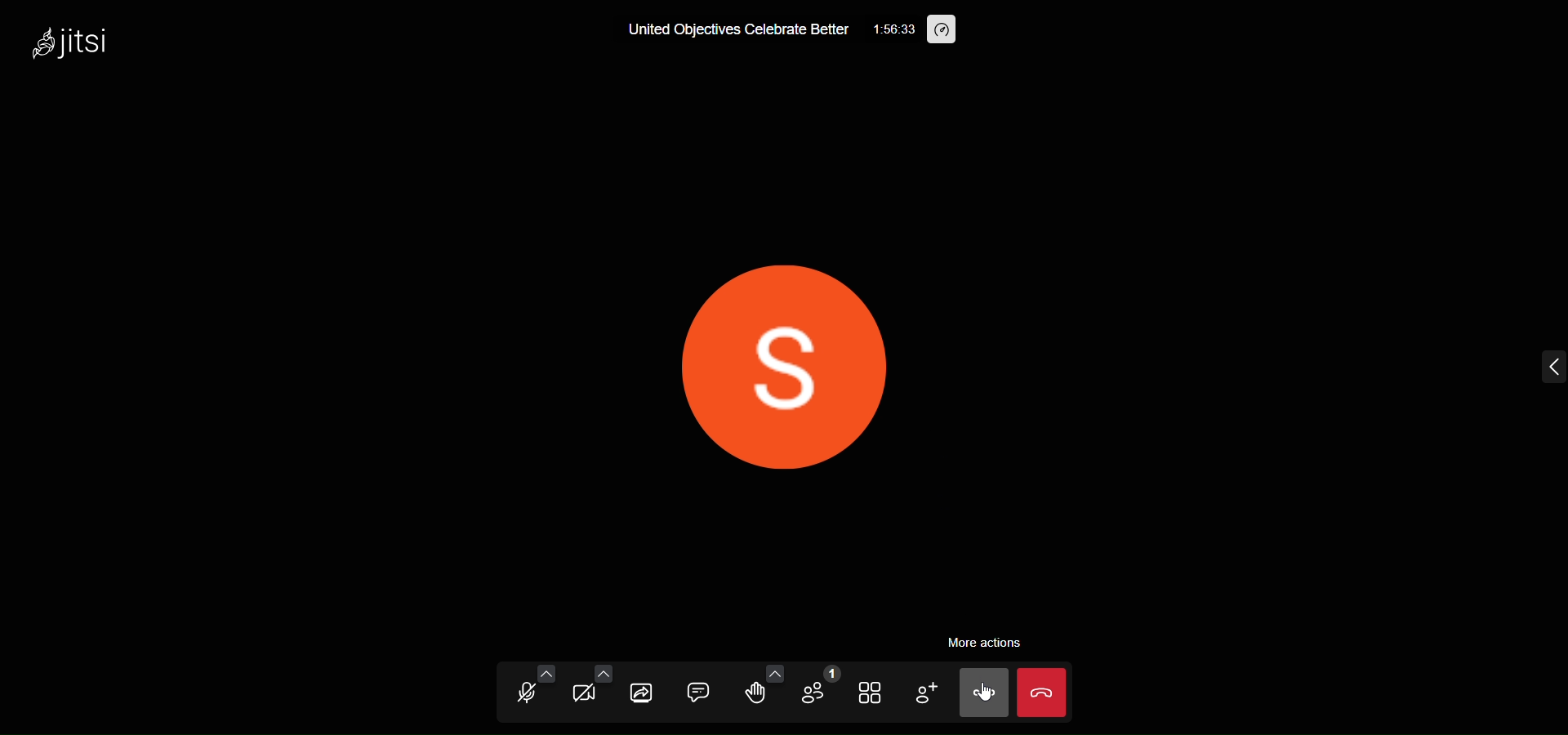  I want to click on chat, so click(699, 693).